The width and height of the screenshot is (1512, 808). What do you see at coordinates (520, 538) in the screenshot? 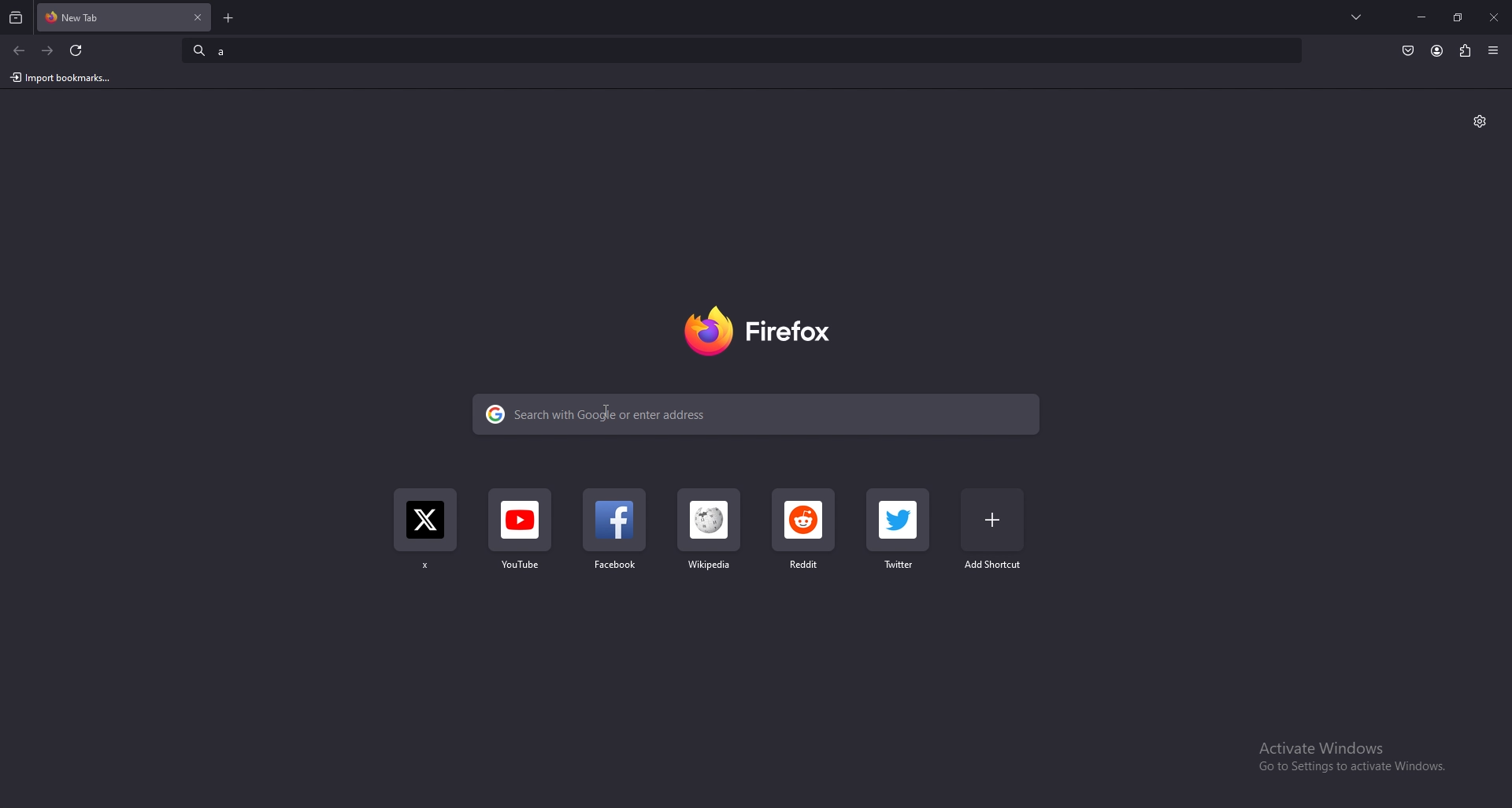
I see `youtube` at bounding box center [520, 538].